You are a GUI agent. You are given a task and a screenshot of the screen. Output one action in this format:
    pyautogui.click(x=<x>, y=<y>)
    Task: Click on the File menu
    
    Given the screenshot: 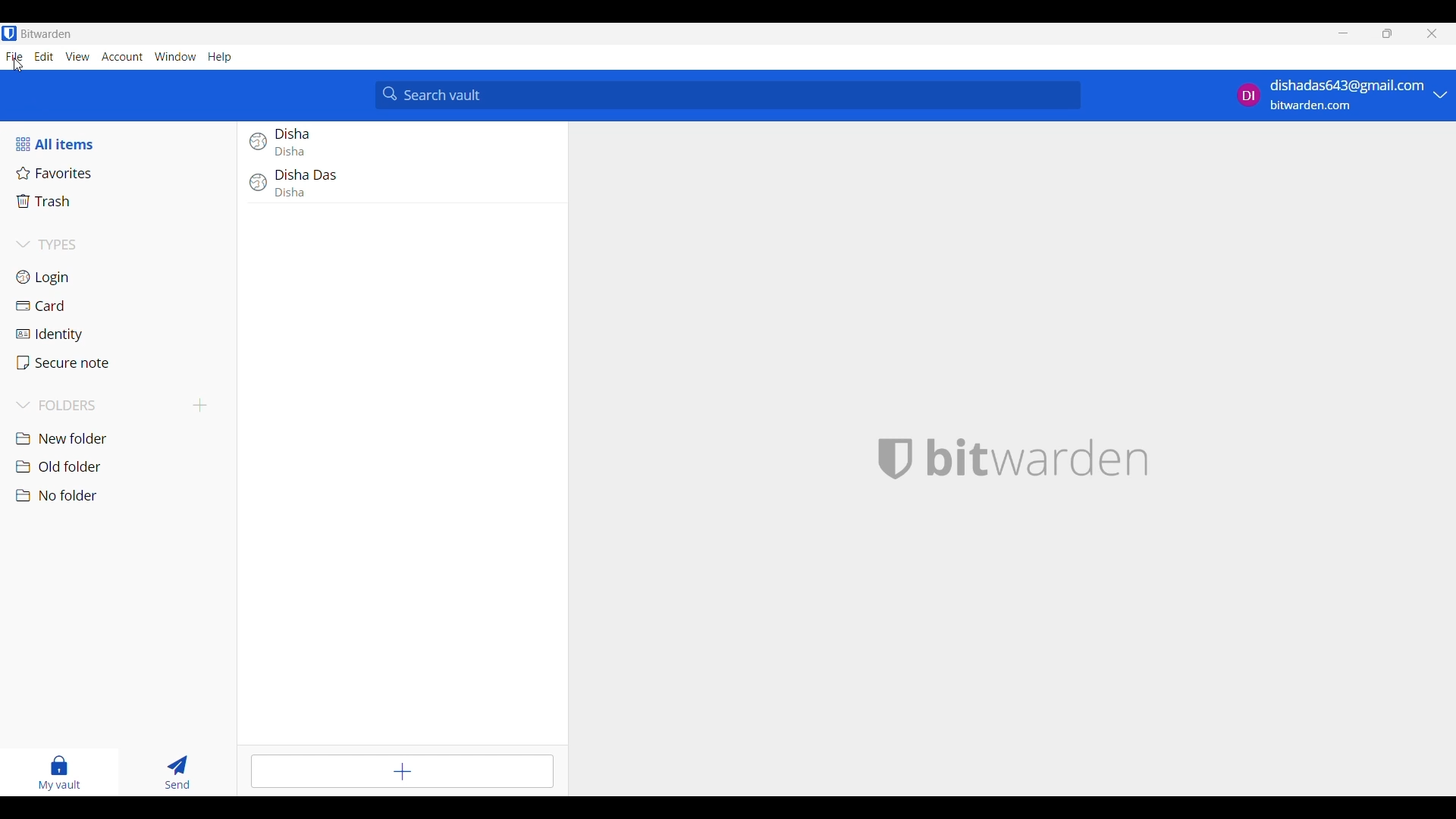 What is the action you would take?
    pyautogui.click(x=14, y=57)
    